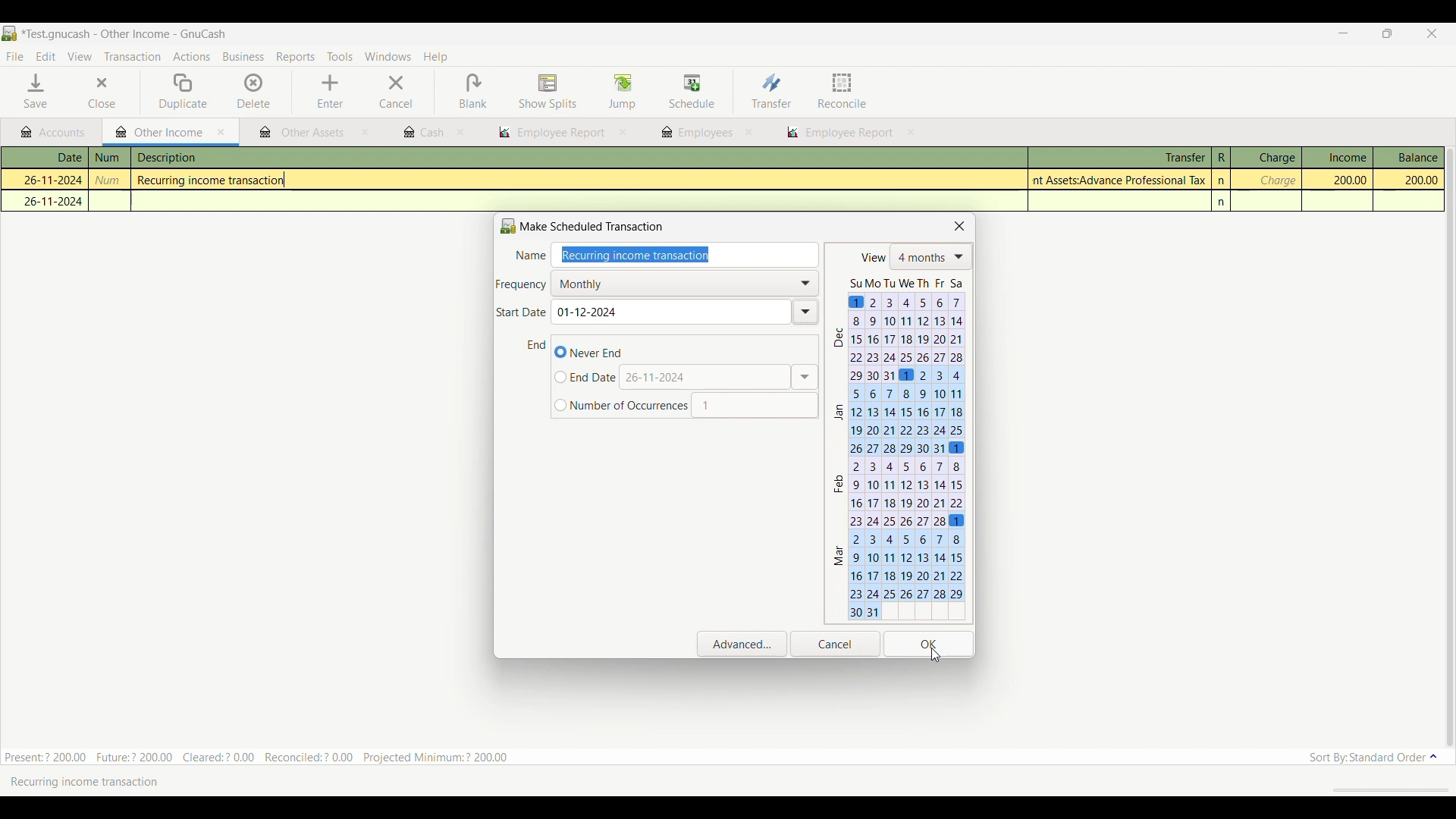  Describe the element at coordinates (537, 345) in the screenshot. I see `Indicates end date of transaction` at that location.